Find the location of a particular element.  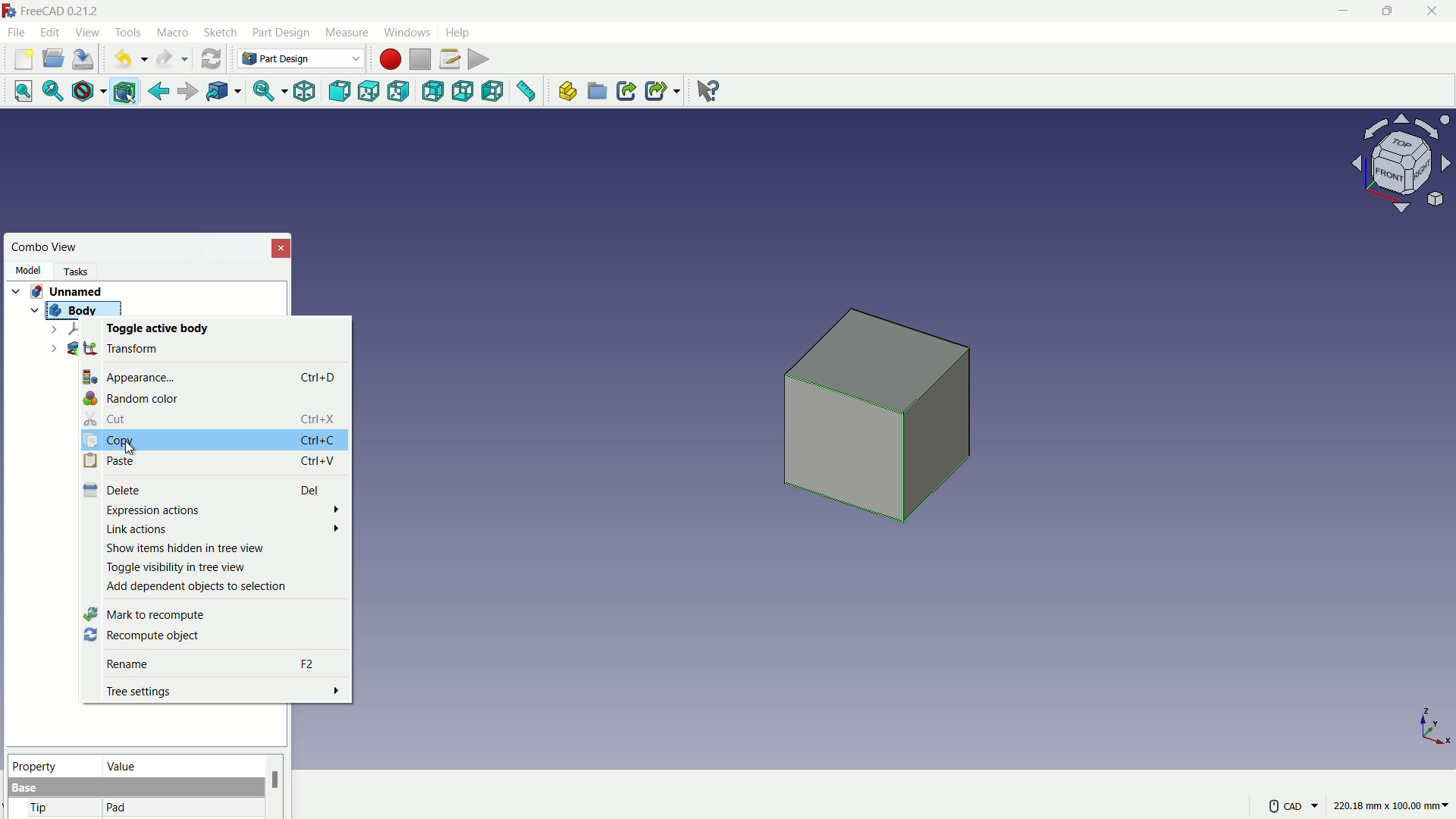

Tree settings is located at coordinates (224, 691).